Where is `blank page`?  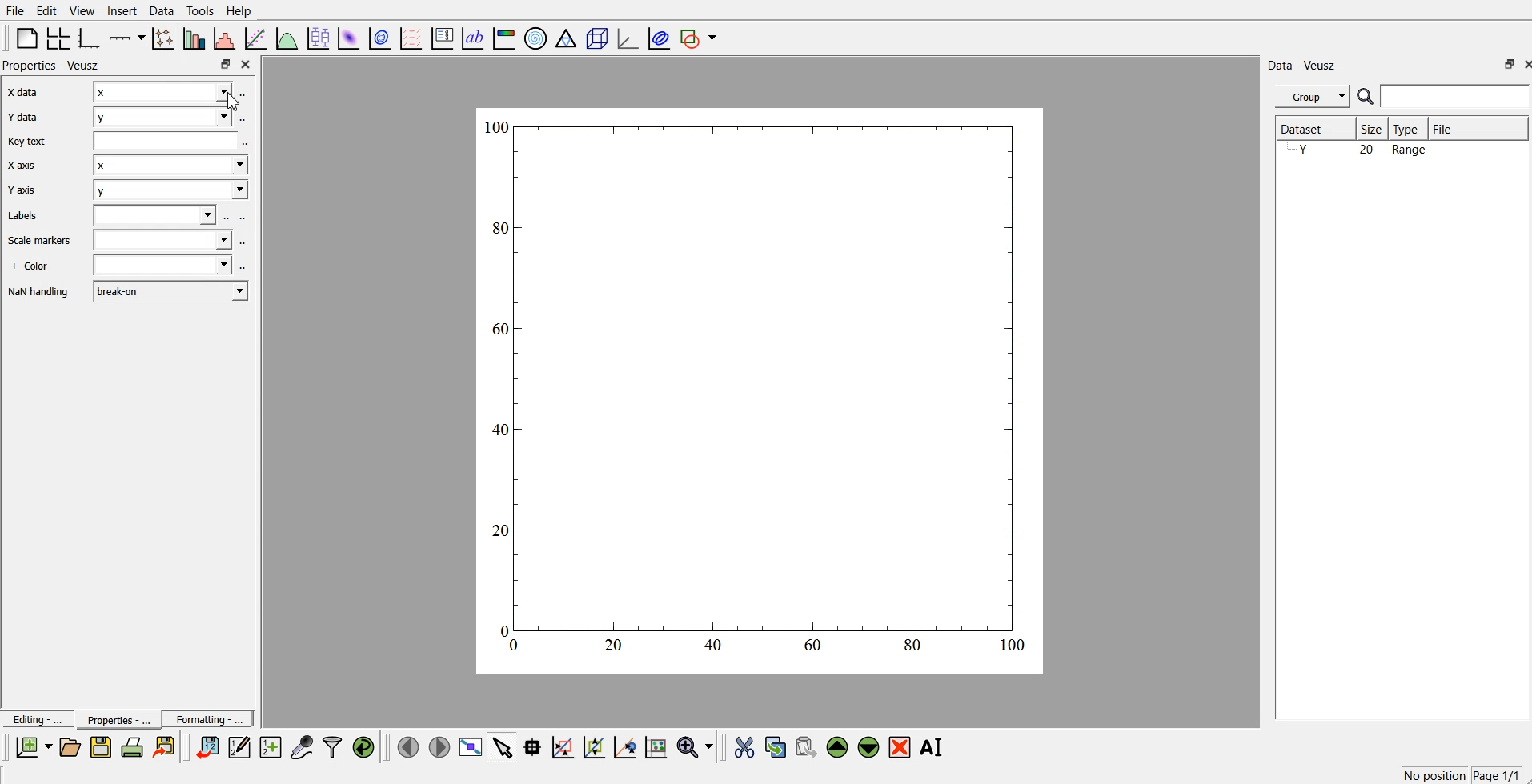 blank page is located at coordinates (26, 38).